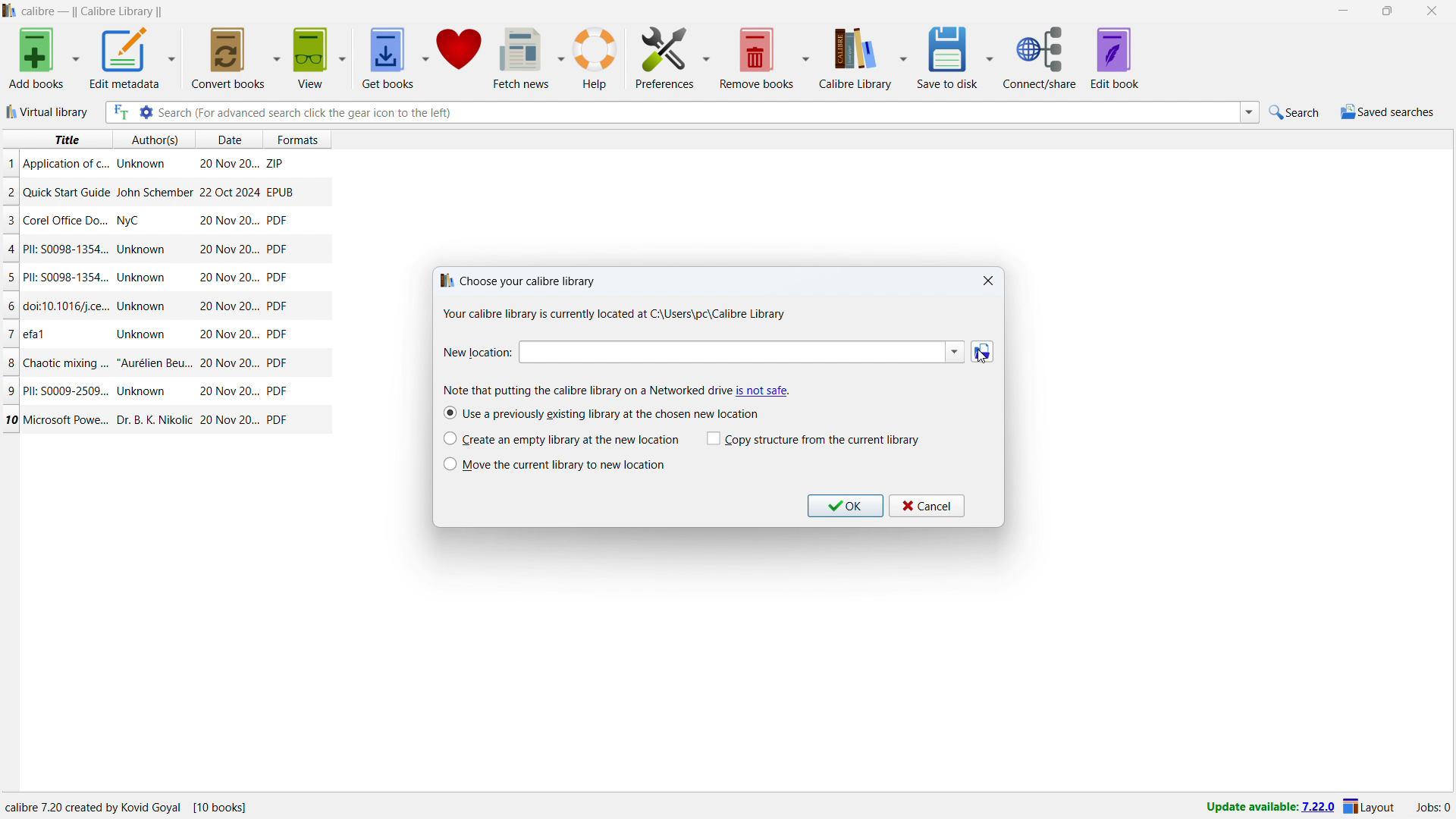  I want to click on convert books, so click(229, 57).